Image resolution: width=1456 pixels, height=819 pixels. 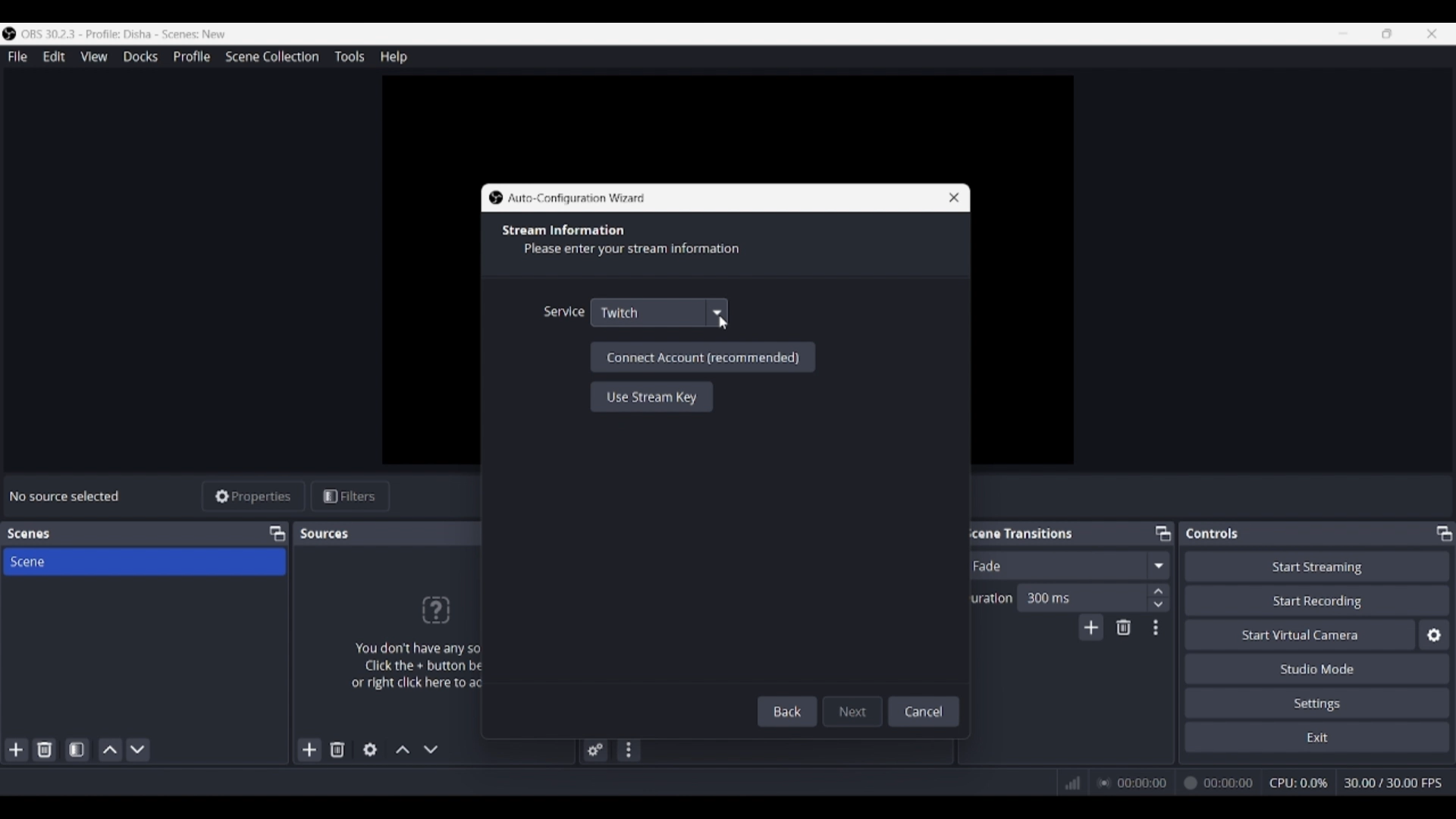 I want to click on Cancel, so click(x=924, y=710).